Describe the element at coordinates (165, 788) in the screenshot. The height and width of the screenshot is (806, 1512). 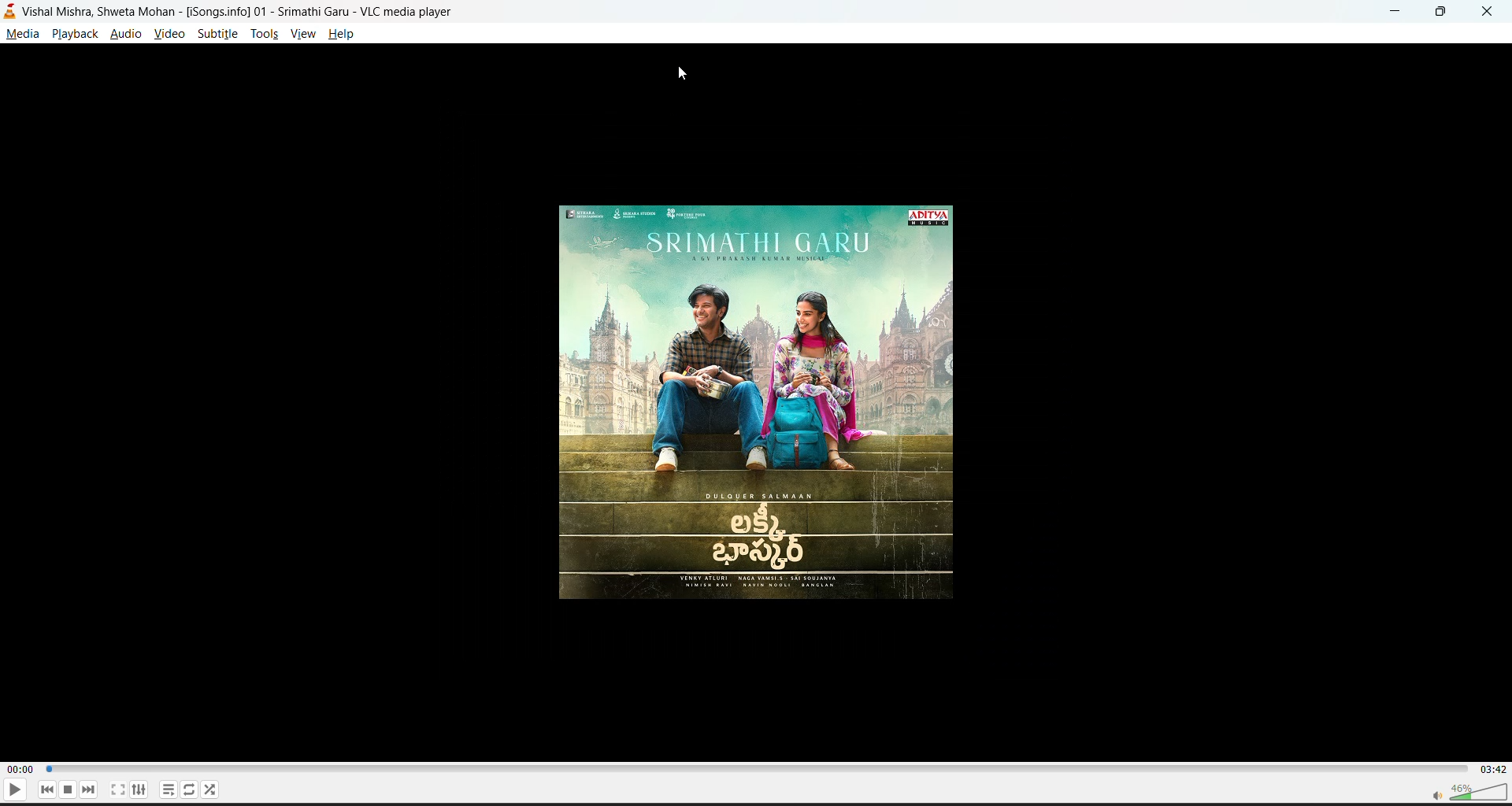
I see `playlist` at that location.